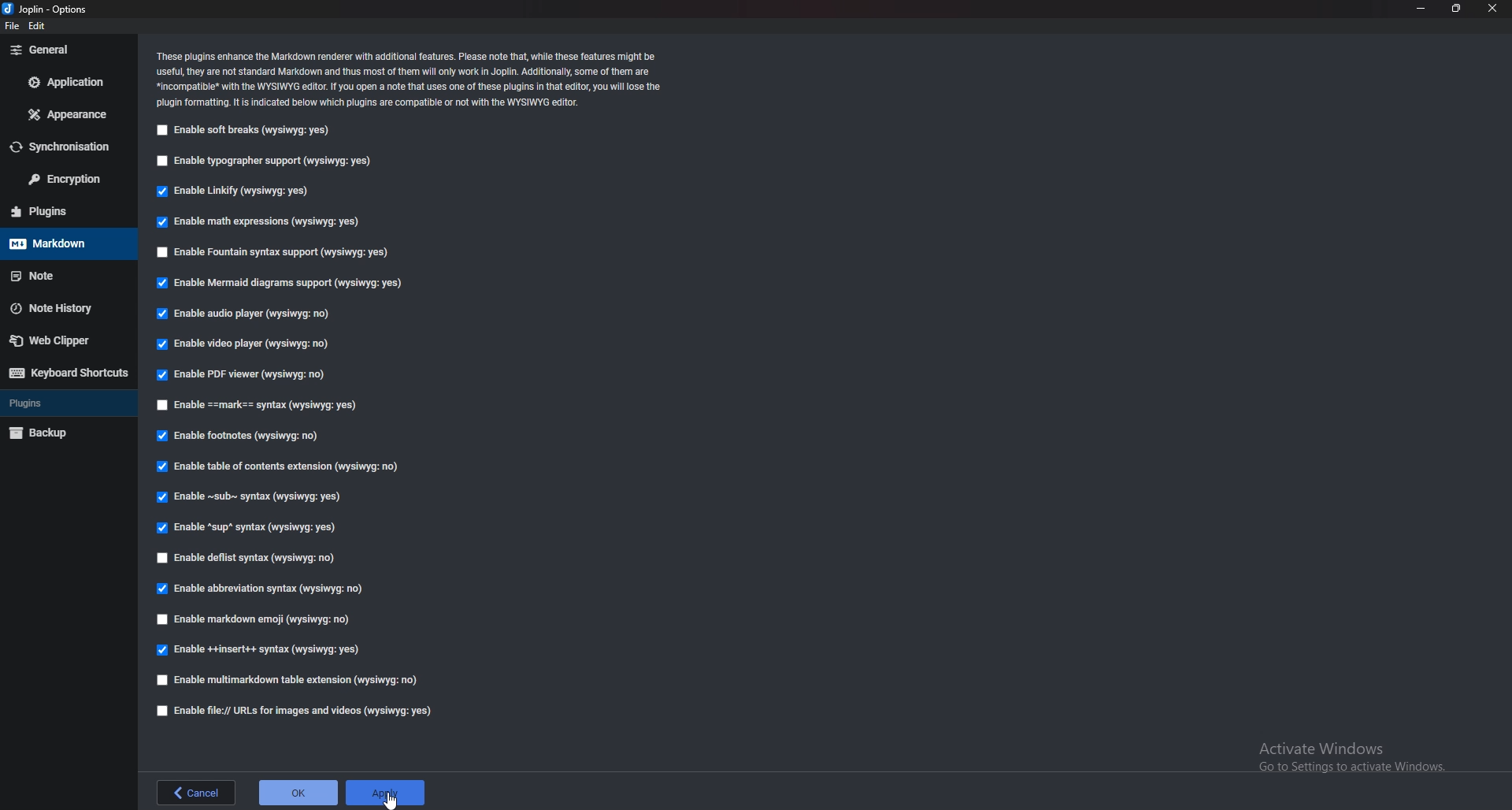 This screenshot has width=1512, height=810. I want to click on Info, so click(414, 78).